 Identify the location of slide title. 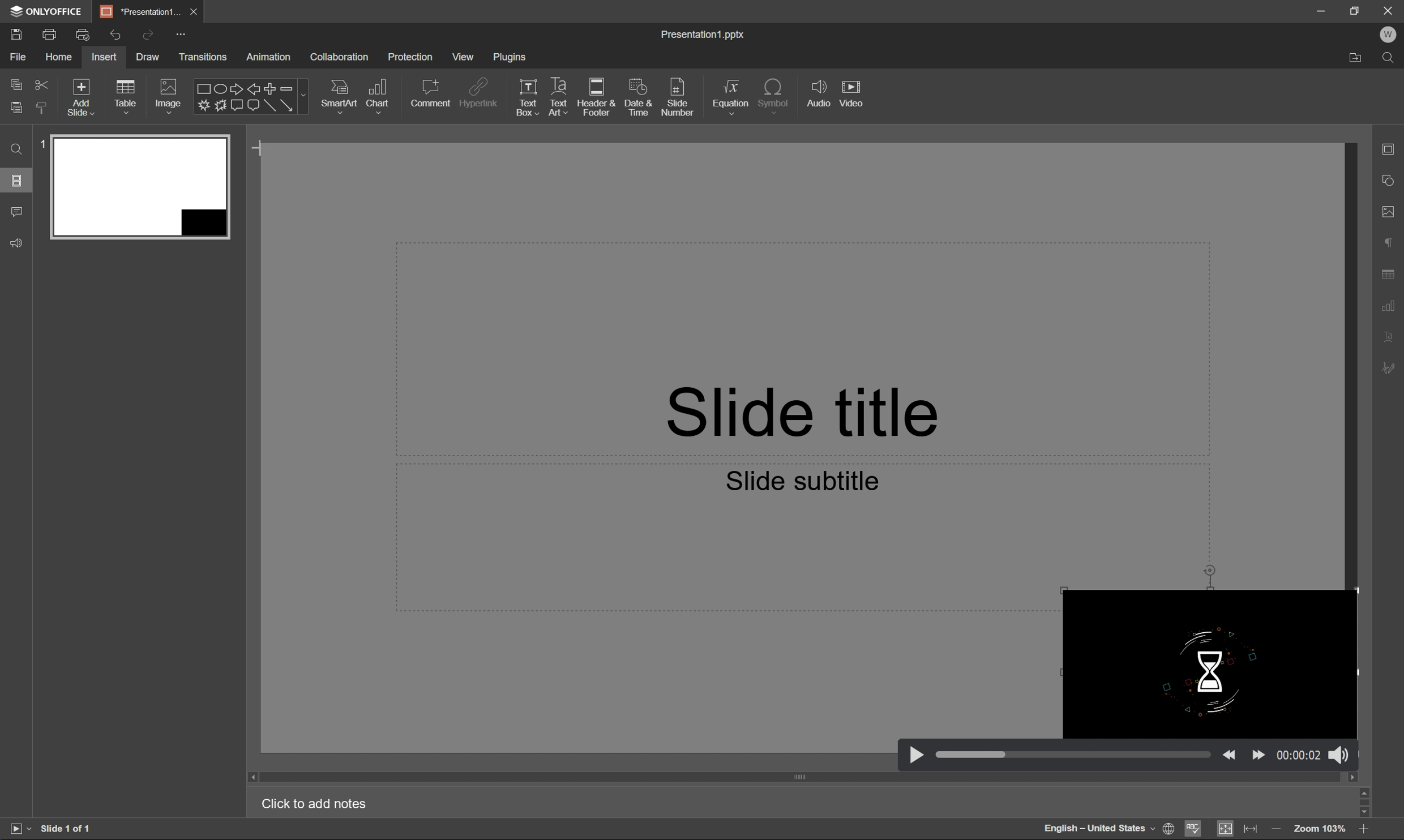
(794, 406).